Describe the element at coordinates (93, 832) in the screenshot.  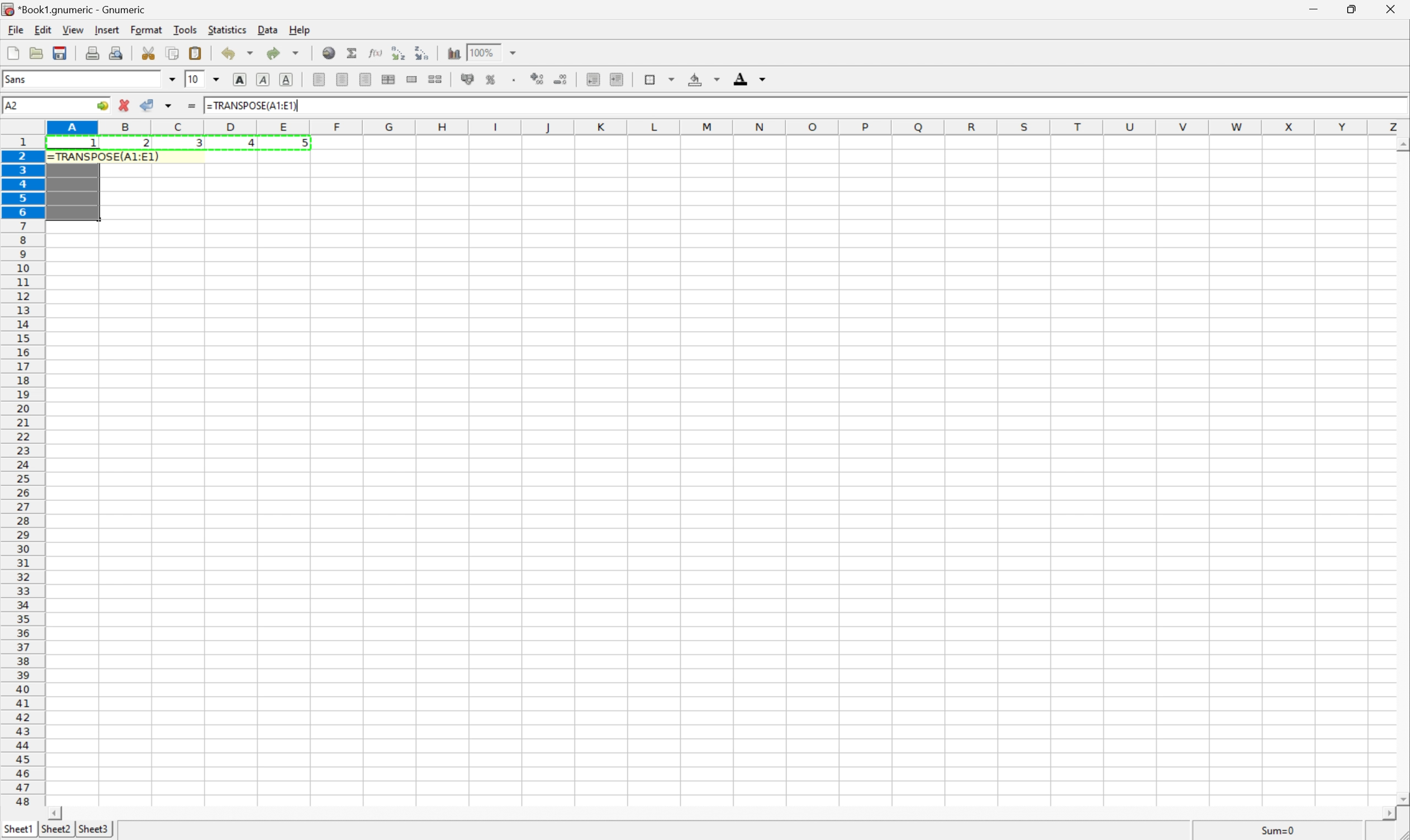
I see `sheet3` at that location.